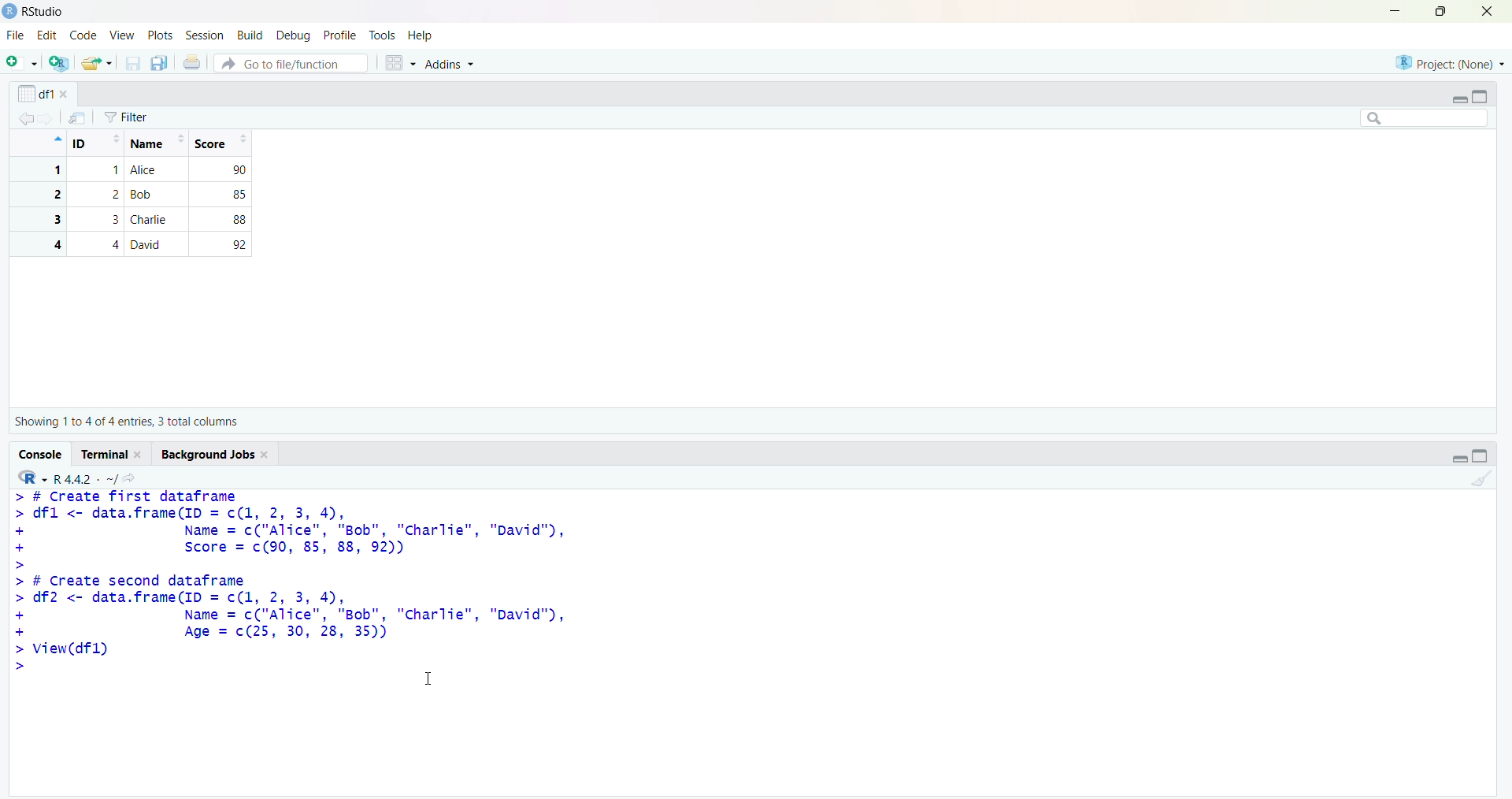 This screenshot has width=1512, height=799. What do you see at coordinates (1425, 117) in the screenshot?
I see `searchbox` at bounding box center [1425, 117].